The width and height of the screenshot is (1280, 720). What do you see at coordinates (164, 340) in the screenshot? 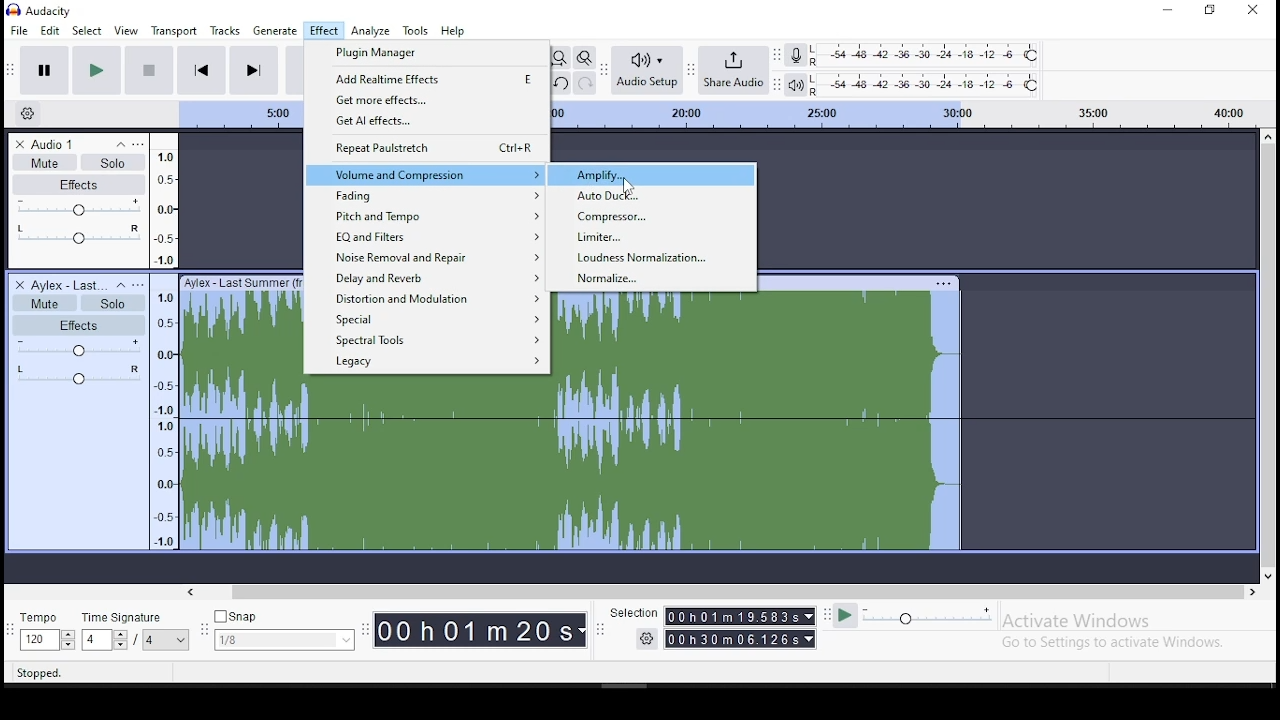
I see `scale` at bounding box center [164, 340].